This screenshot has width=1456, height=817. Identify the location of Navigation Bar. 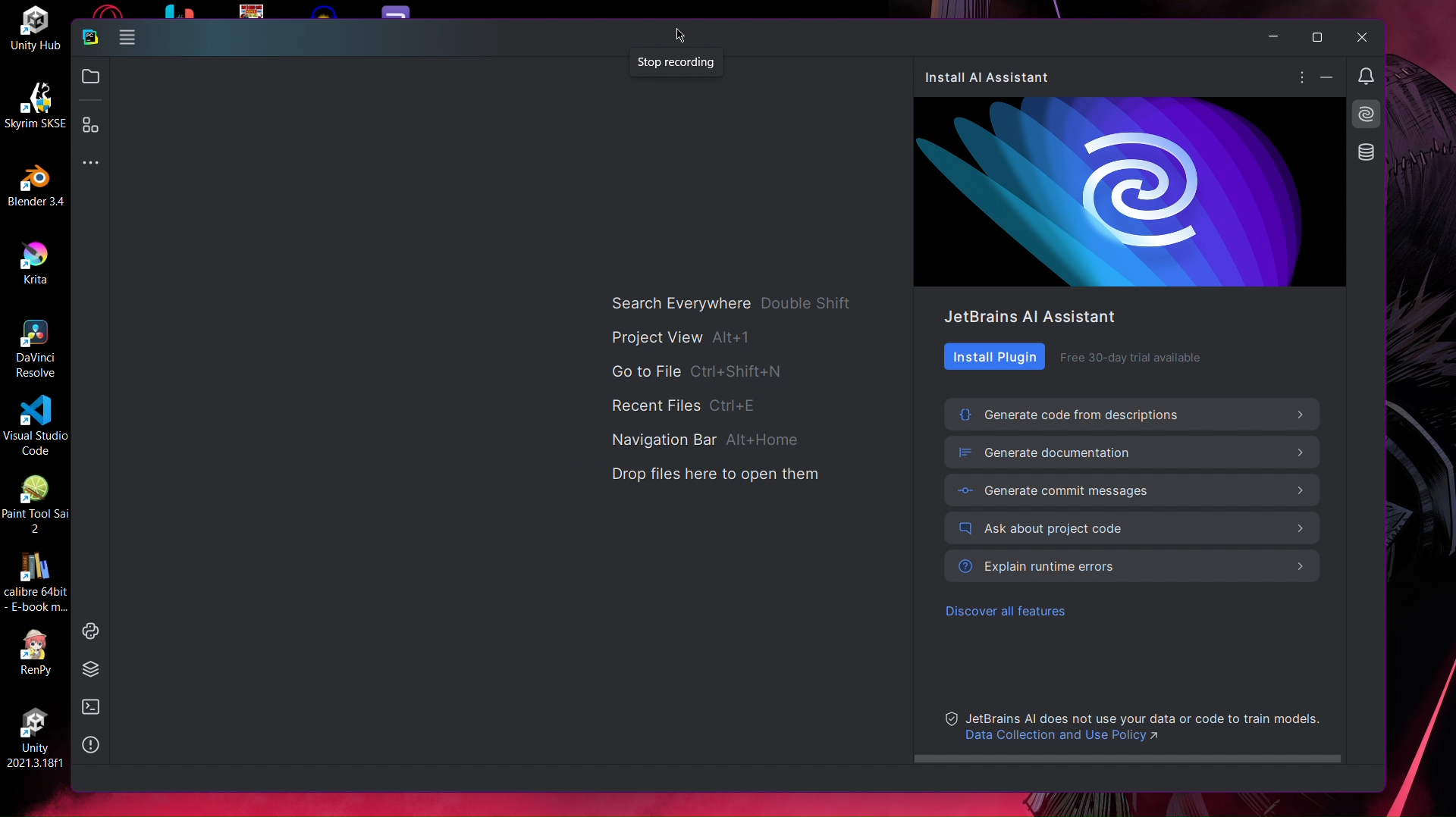
(708, 440).